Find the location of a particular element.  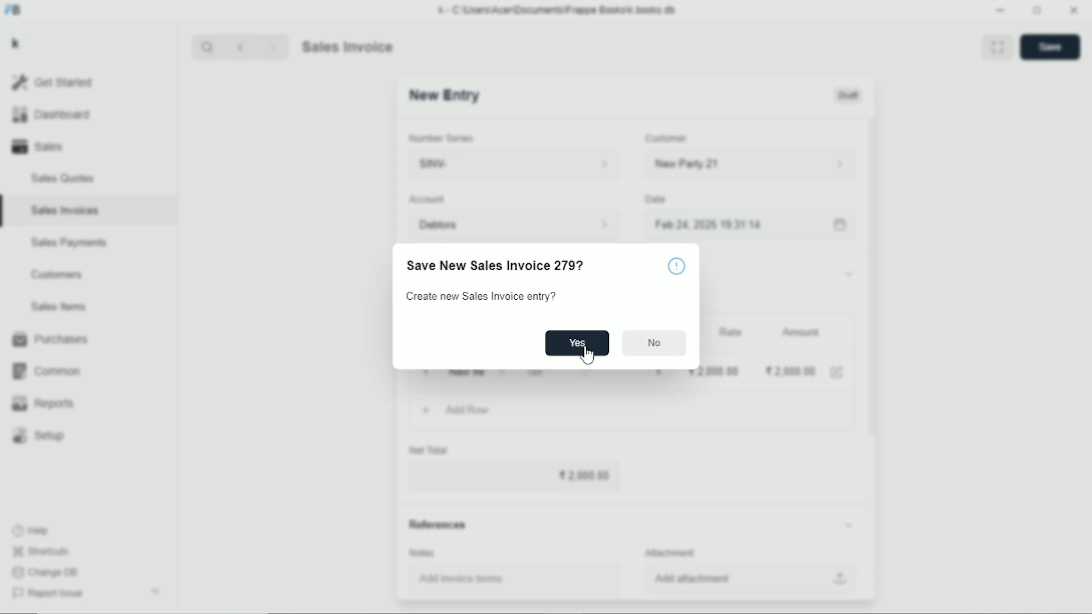

Setup is located at coordinates (41, 436).